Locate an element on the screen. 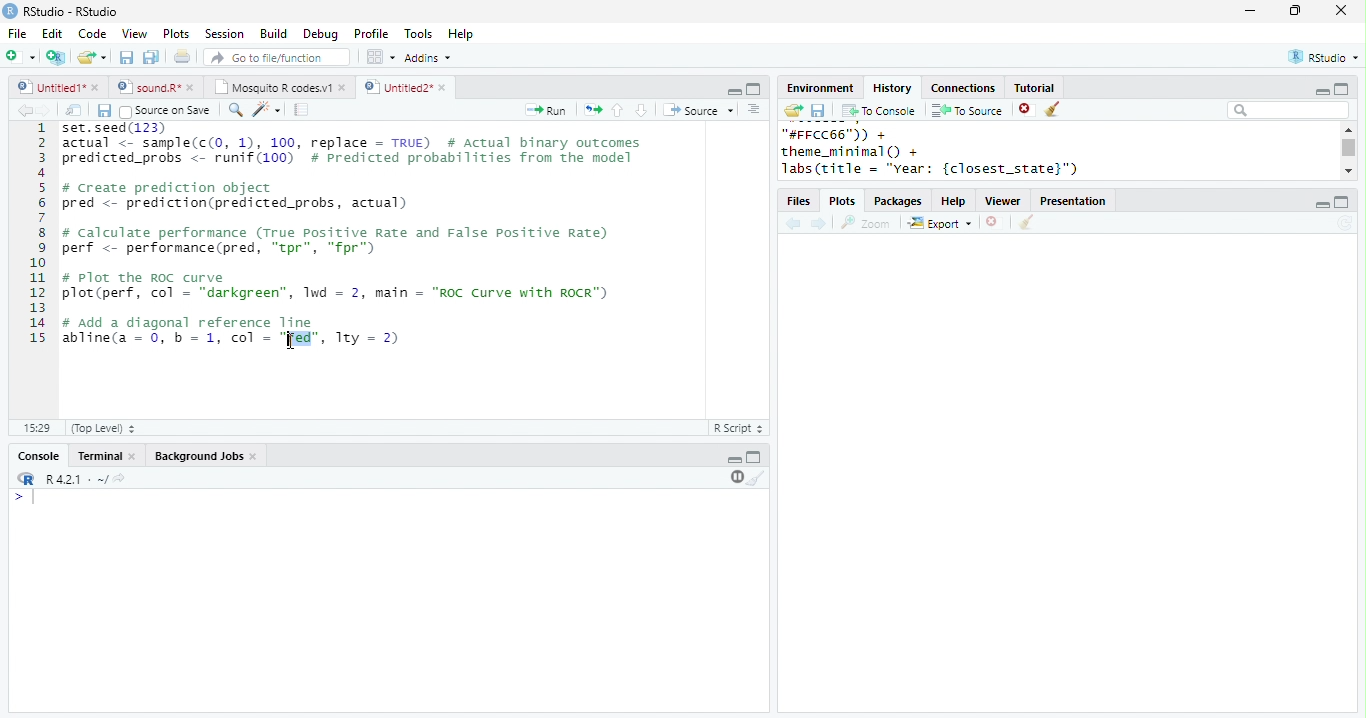 This screenshot has height=718, width=1366. run is located at coordinates (545, 110).